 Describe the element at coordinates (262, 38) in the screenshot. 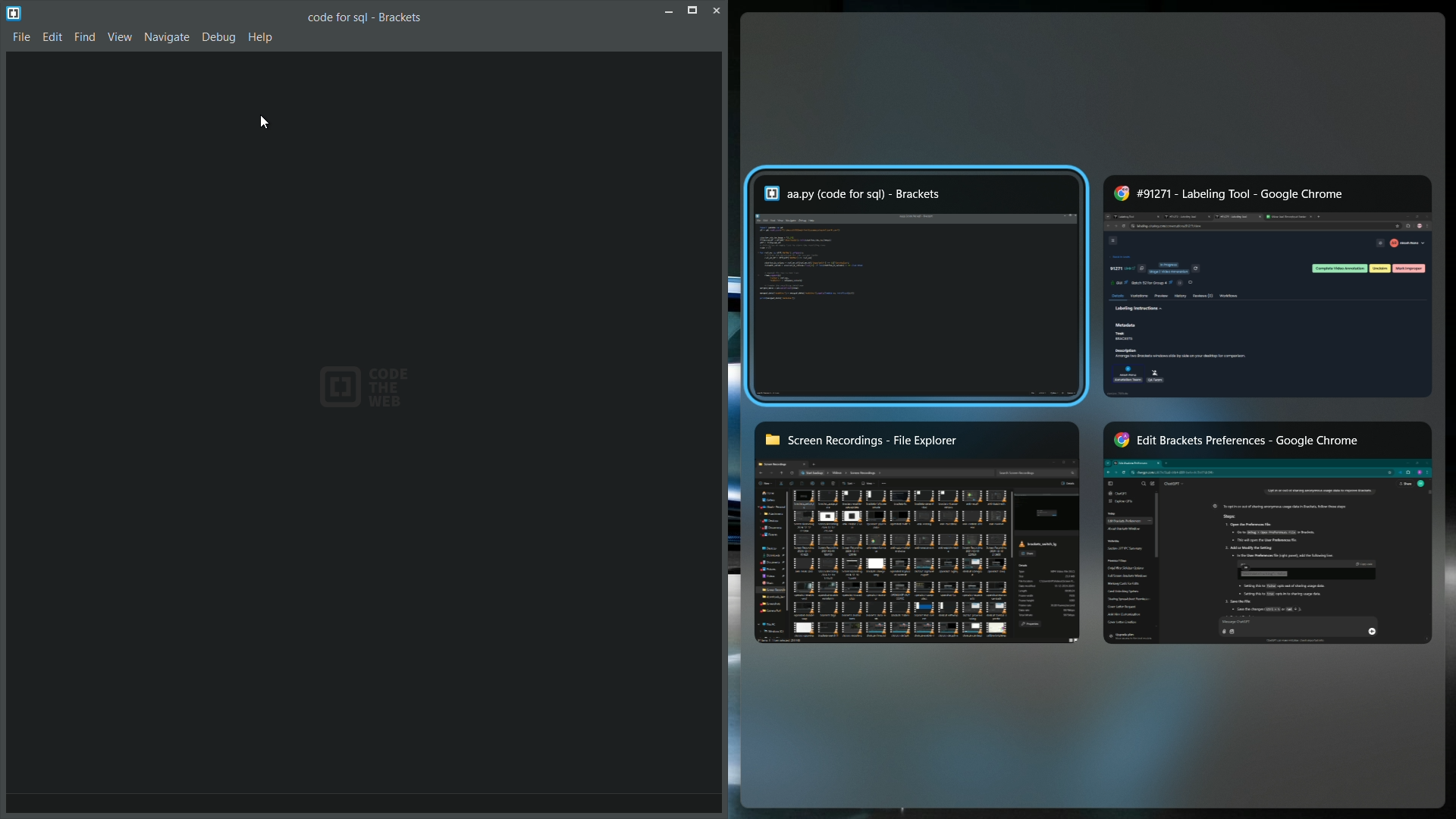

I see `Help` at that location.